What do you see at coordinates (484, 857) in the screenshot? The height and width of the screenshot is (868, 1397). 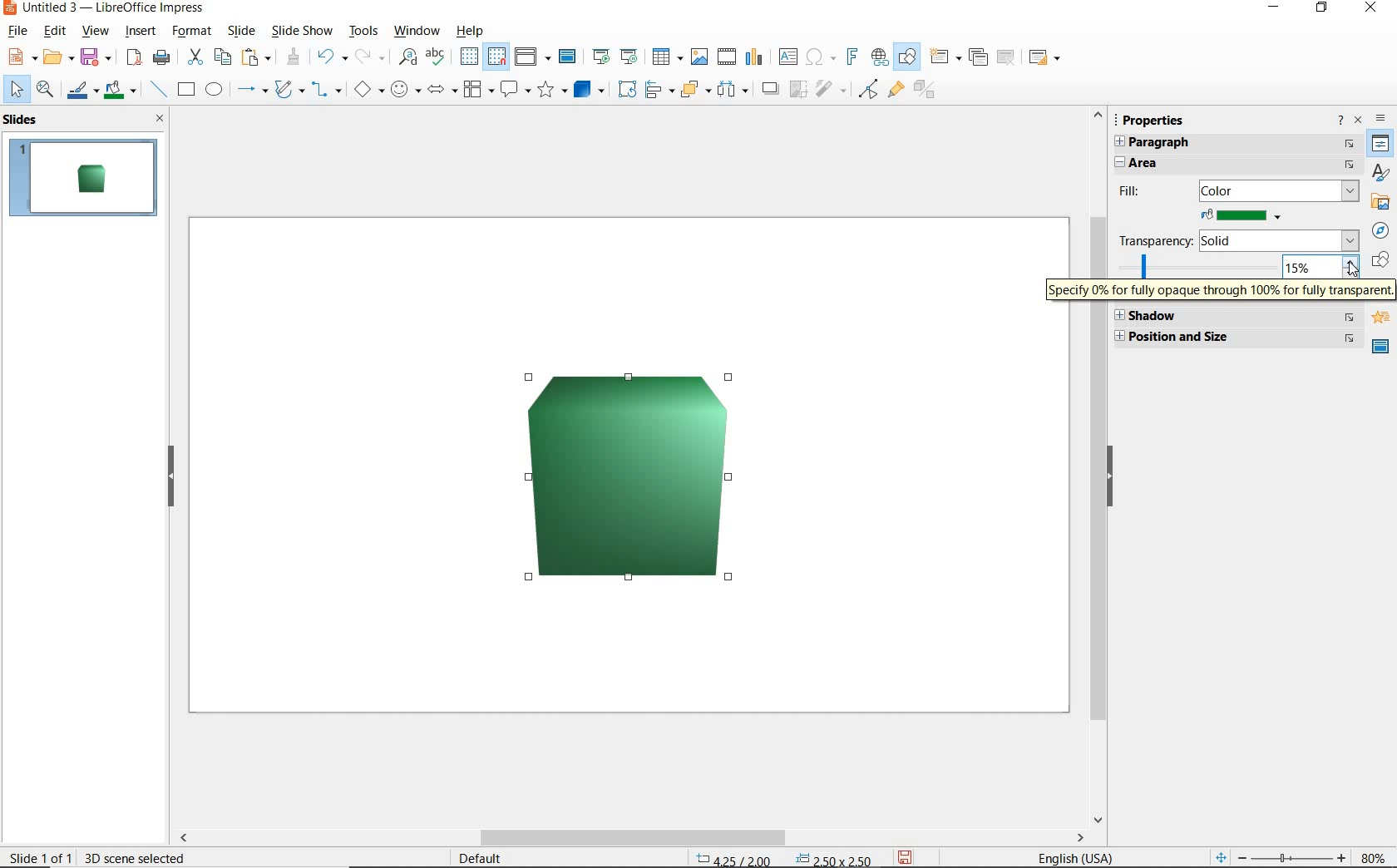 I see `DEFAULT` at bounding box center [484, 857].